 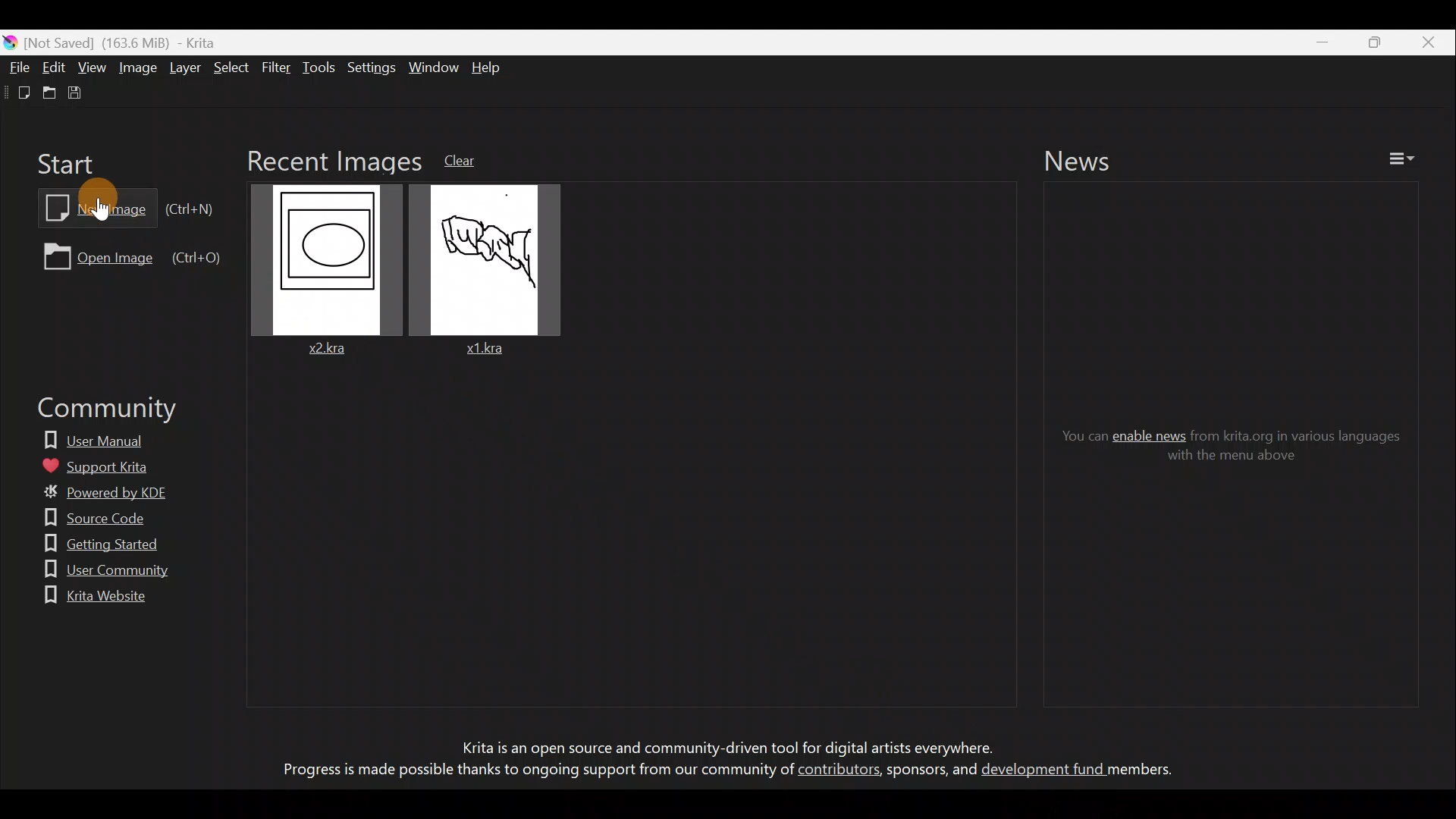 What do you see at coordinates (93, 67) in the screenshot?
I see `View` at bounding box center [93, 67].